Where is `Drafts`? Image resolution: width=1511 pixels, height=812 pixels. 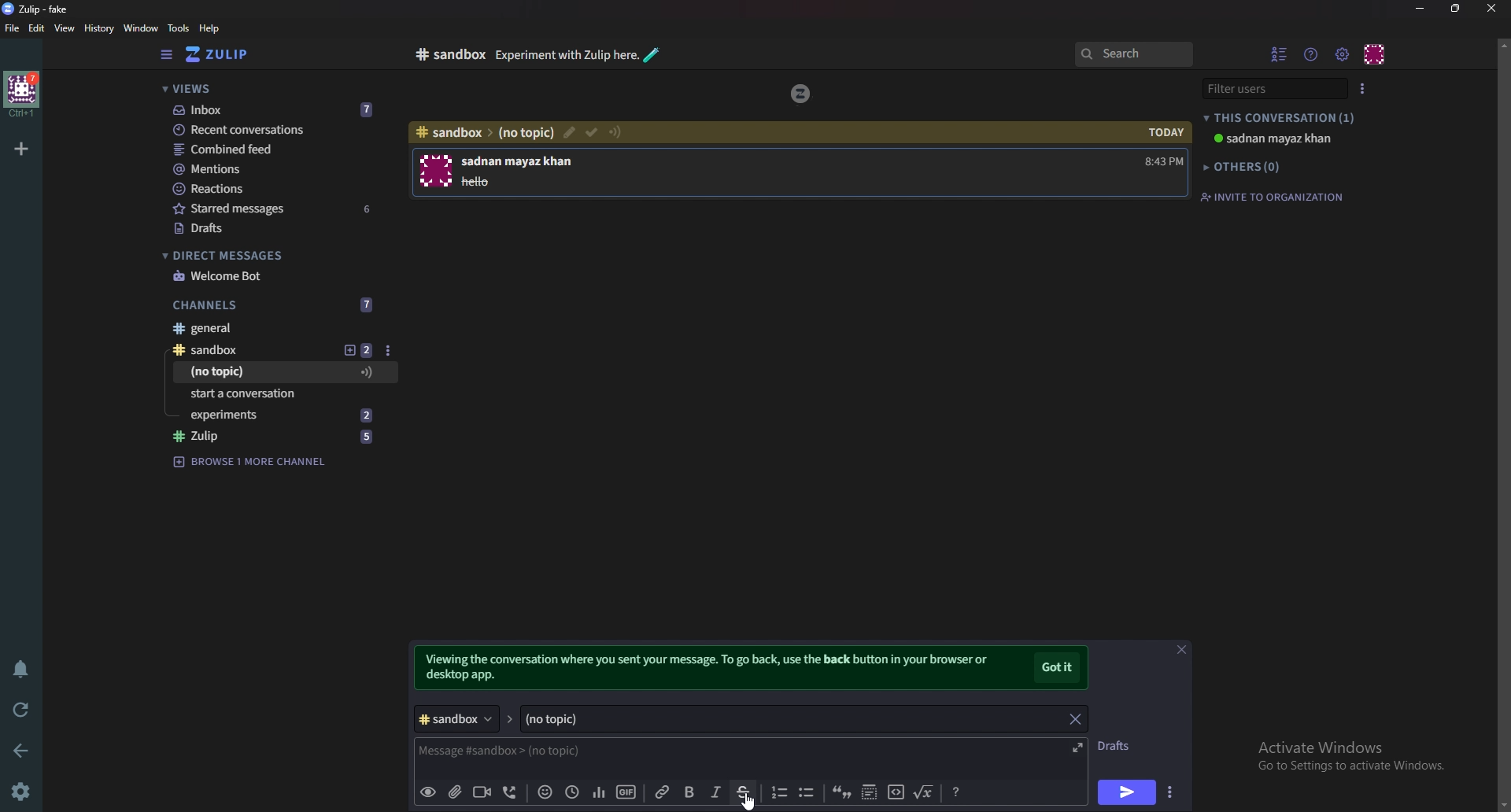 Drafts is located at coordinates (1119, 746).